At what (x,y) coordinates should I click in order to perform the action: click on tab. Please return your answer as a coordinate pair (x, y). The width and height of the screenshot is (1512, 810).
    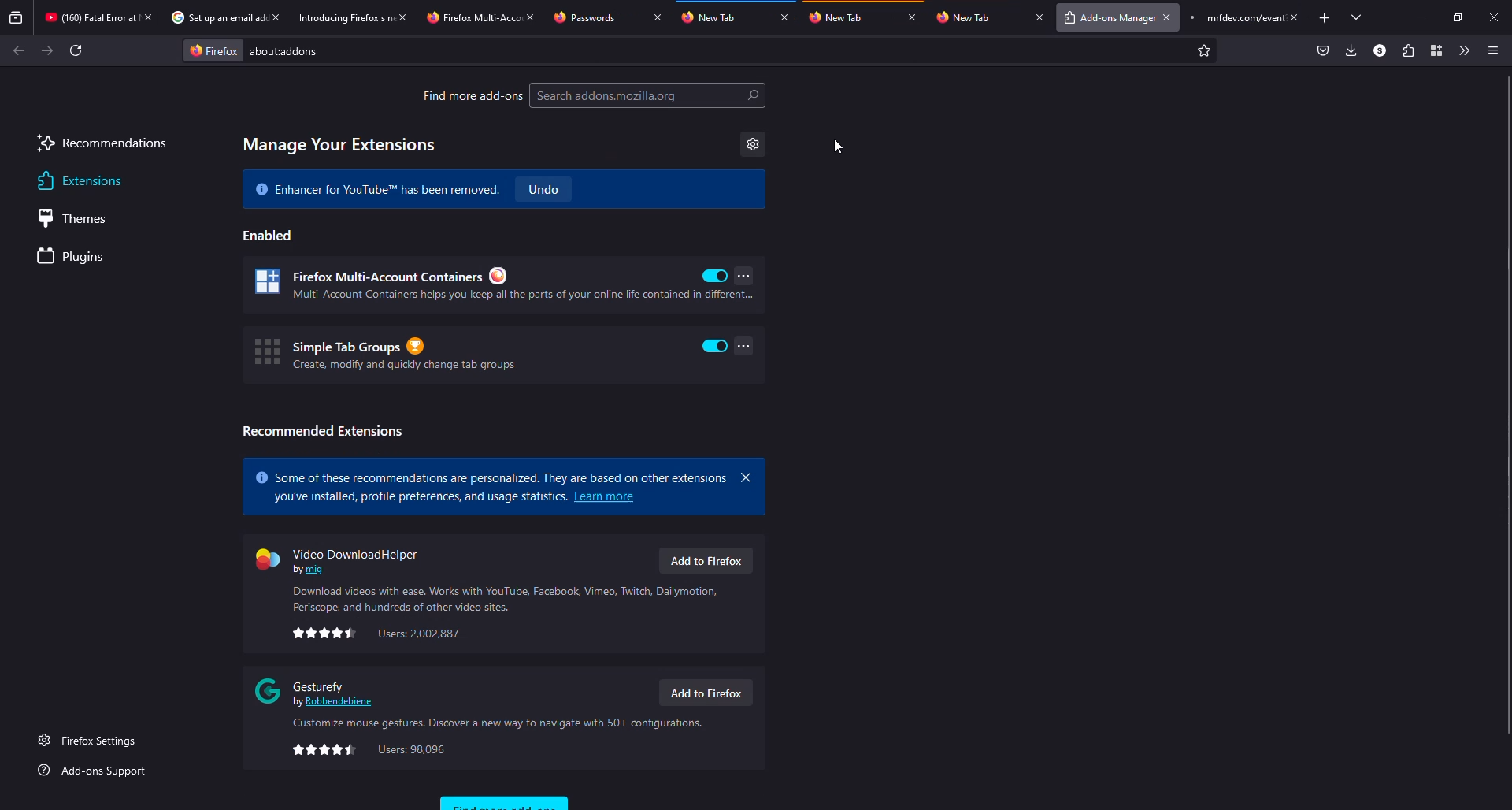
    Looking at the image, I should click on (472, 17).